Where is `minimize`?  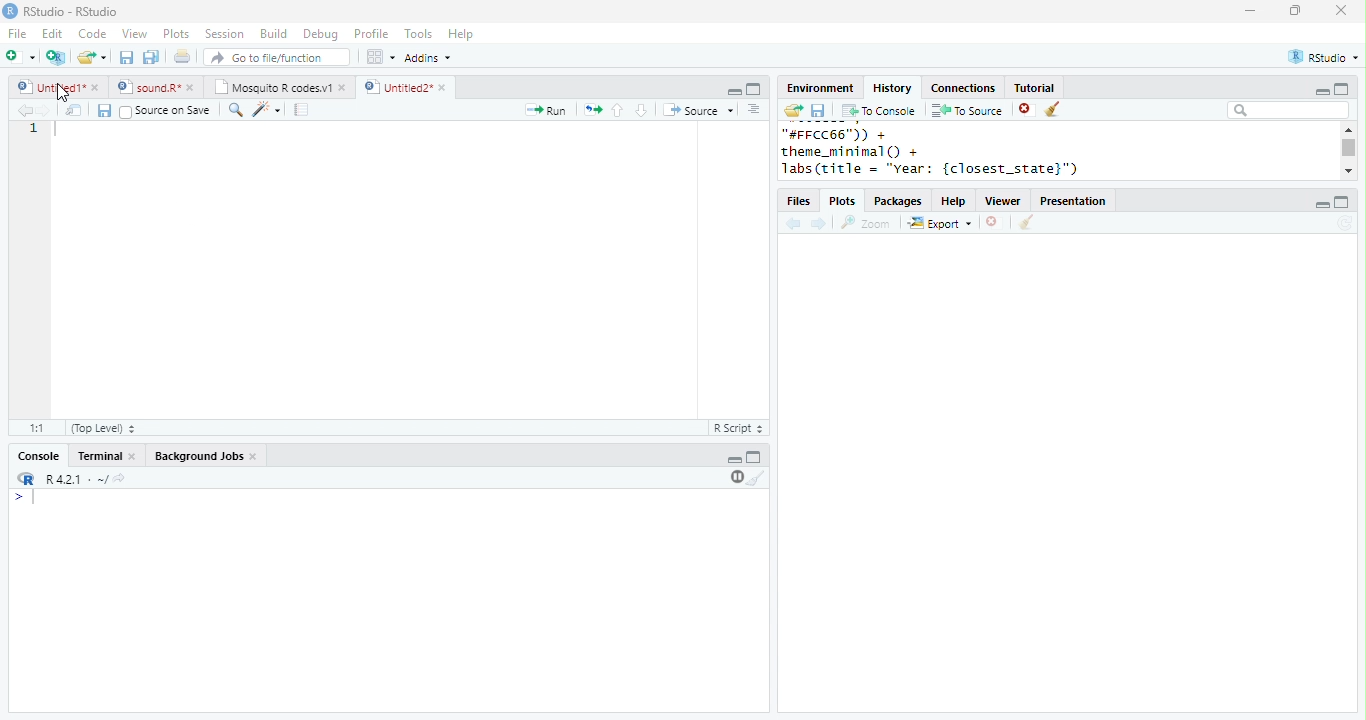 minimize is located at coordinates (1249, 11).